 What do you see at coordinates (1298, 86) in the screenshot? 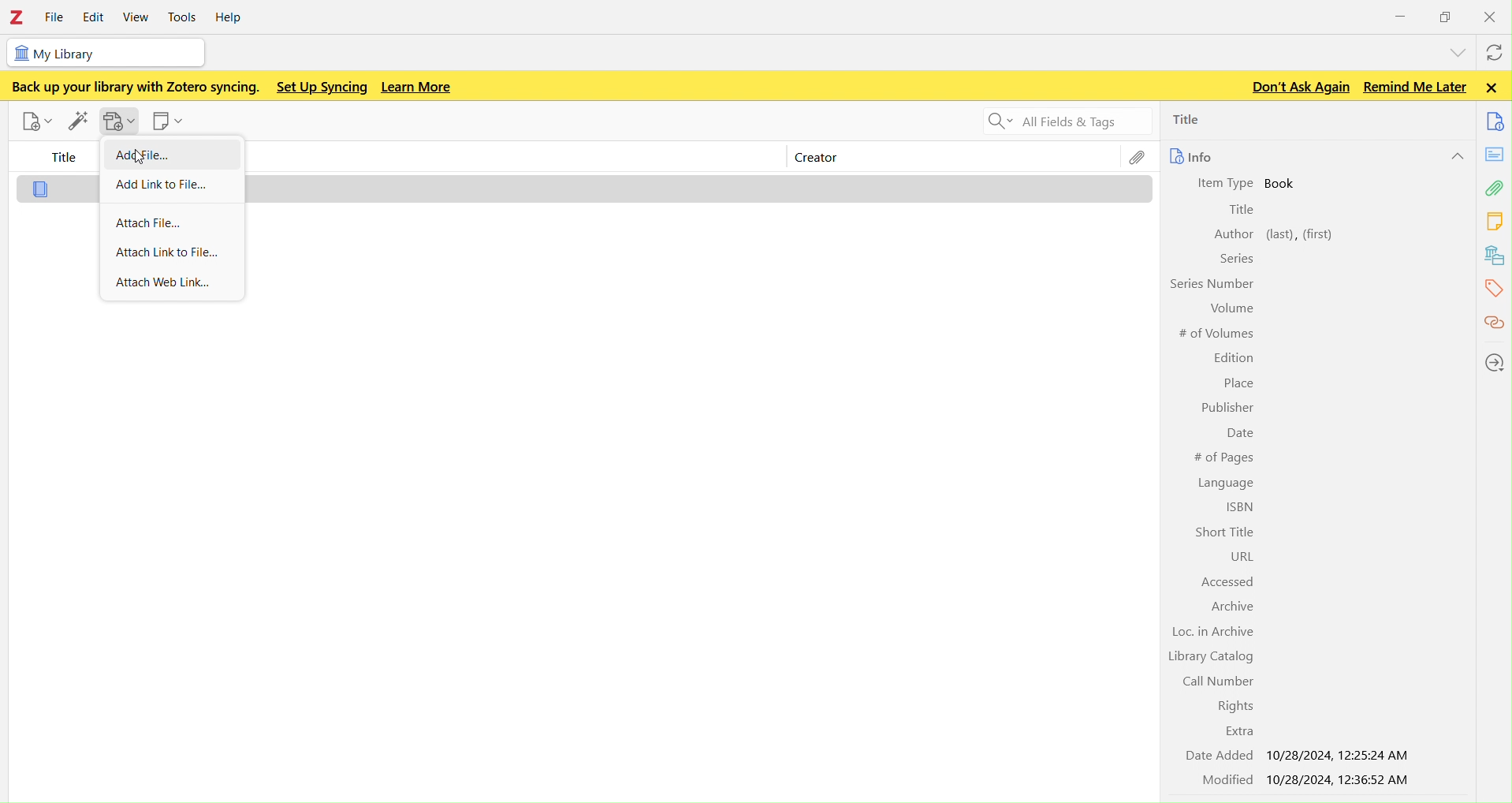
I see `Don't ask again` at bounding box center [1298, 86].